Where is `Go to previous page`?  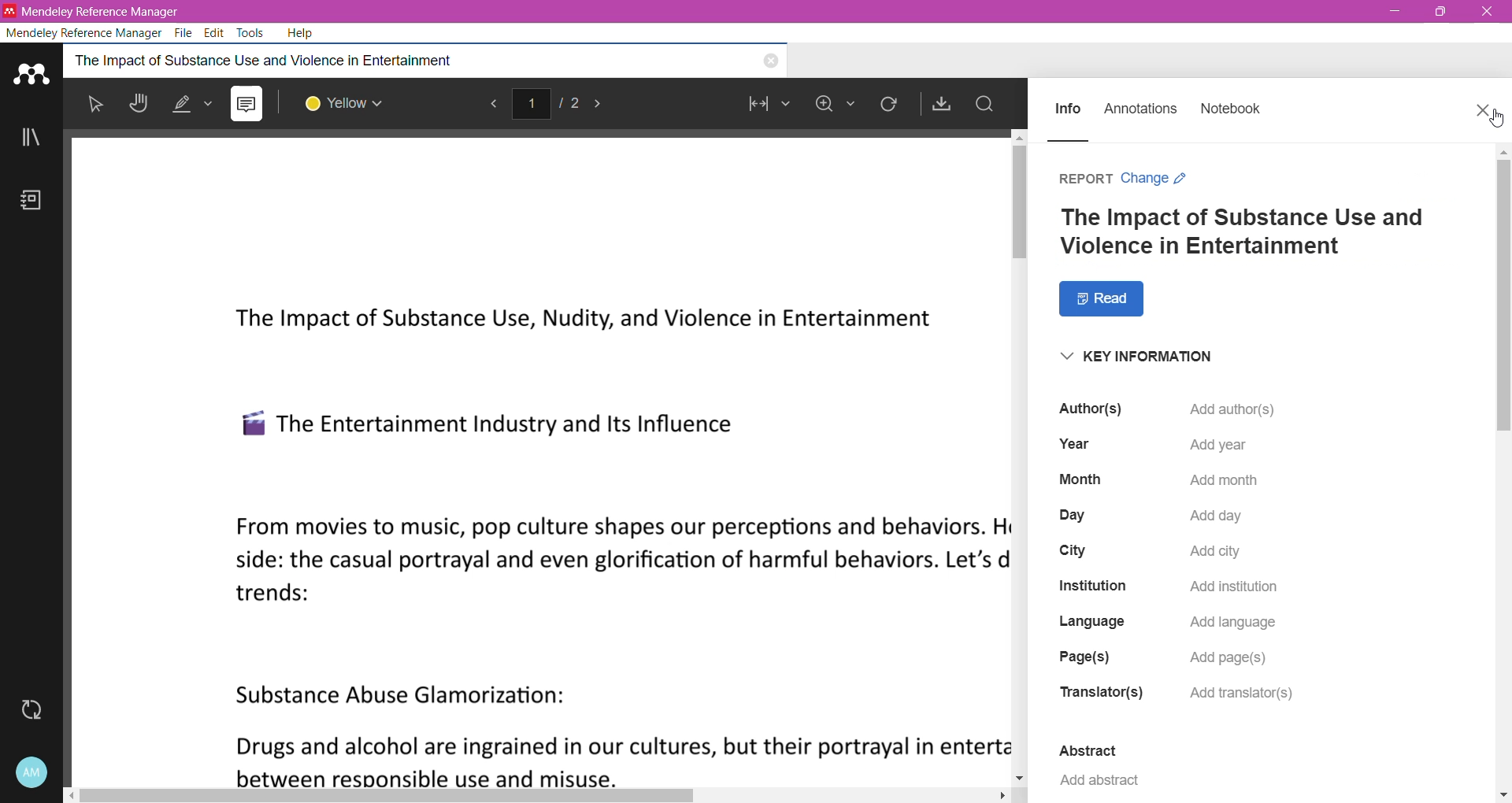
Go to previous page is located at coordinates (490, 106).